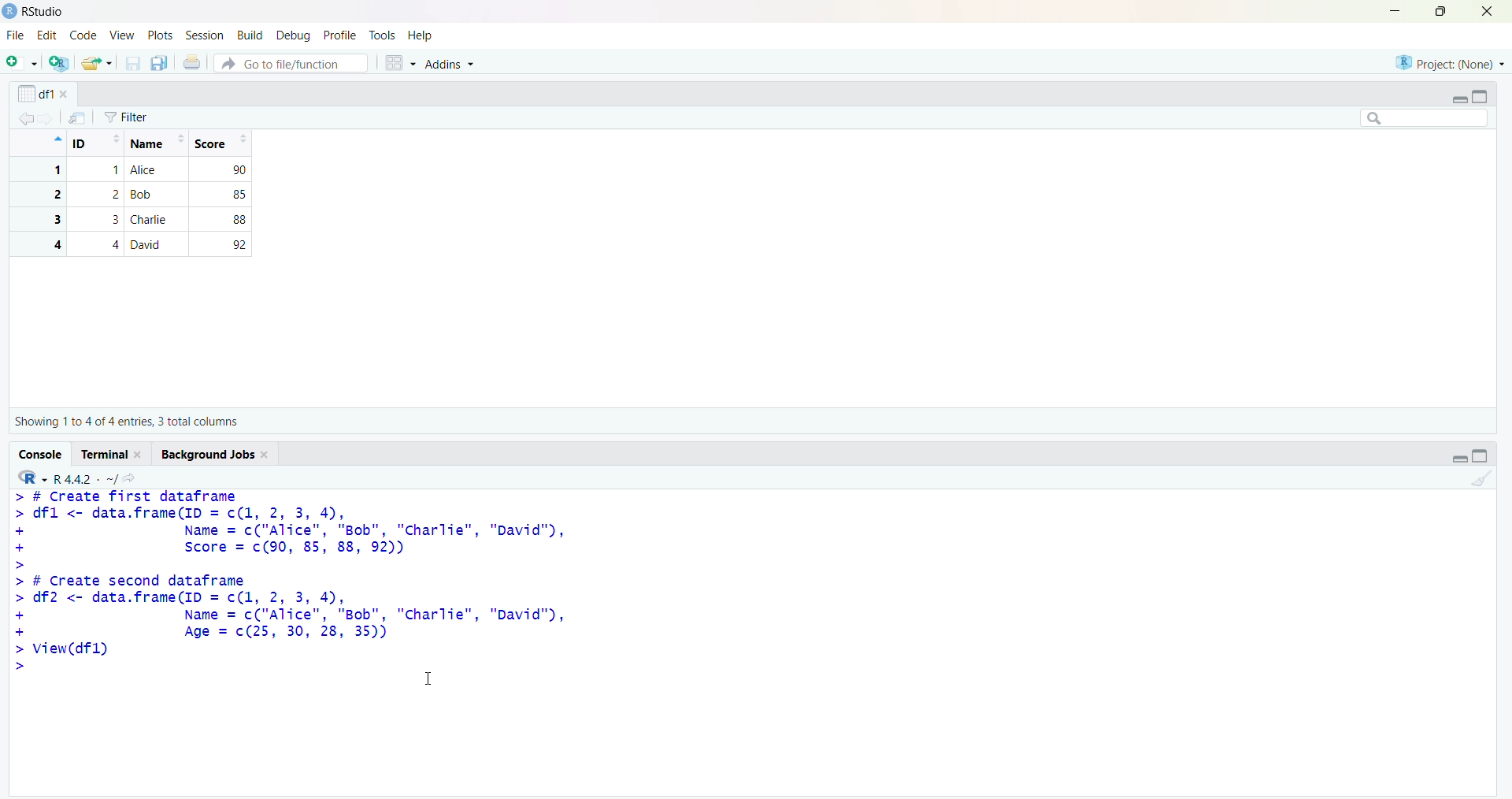 This screenshot has width=1512, height=799. Describe the element at coordinates (35, 94) in the screenshot. I see `df1` at that location.